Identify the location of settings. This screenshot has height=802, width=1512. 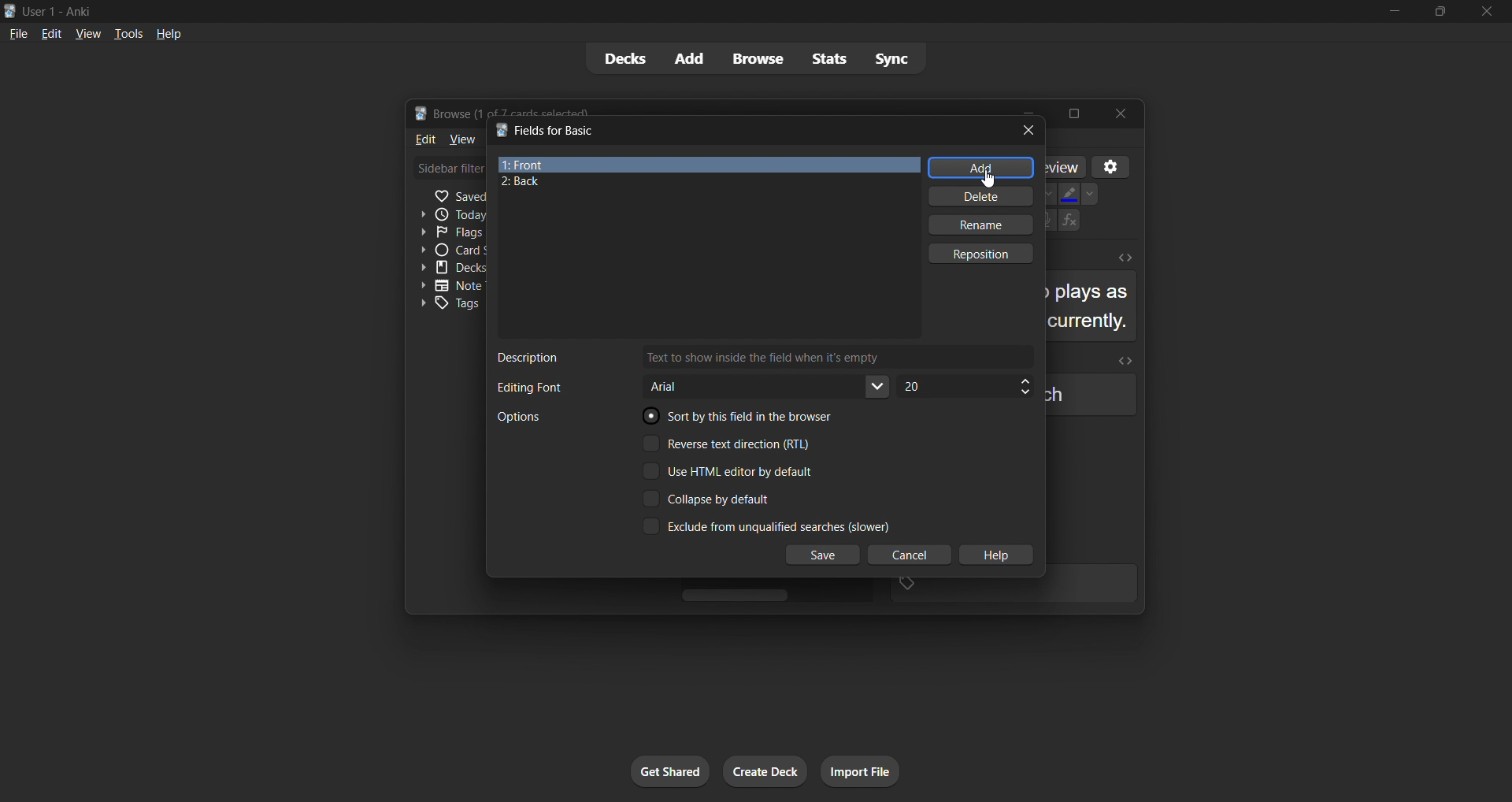
(1109, 166).